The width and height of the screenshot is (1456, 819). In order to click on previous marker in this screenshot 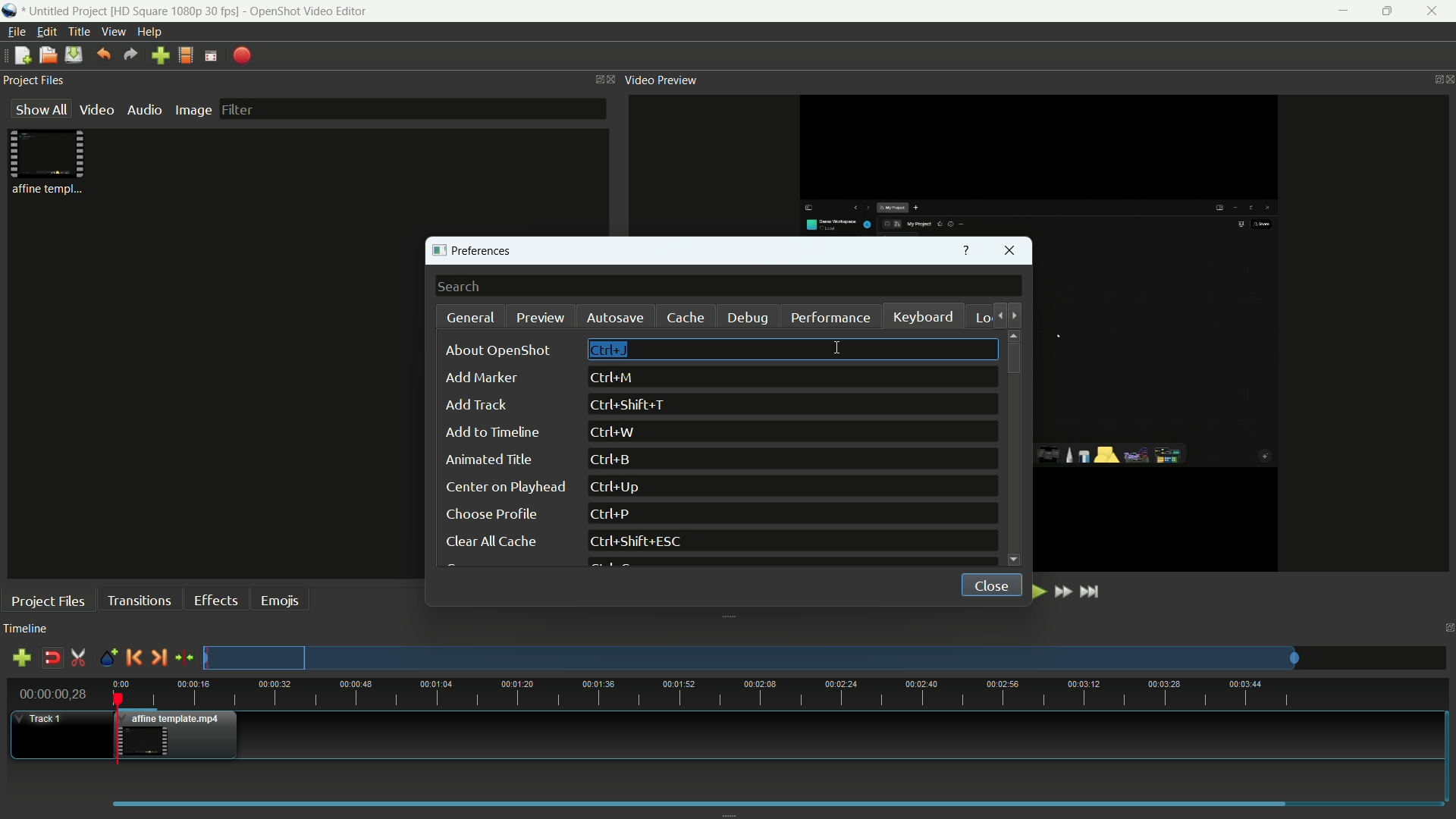, I will do `click(133, 657)`.